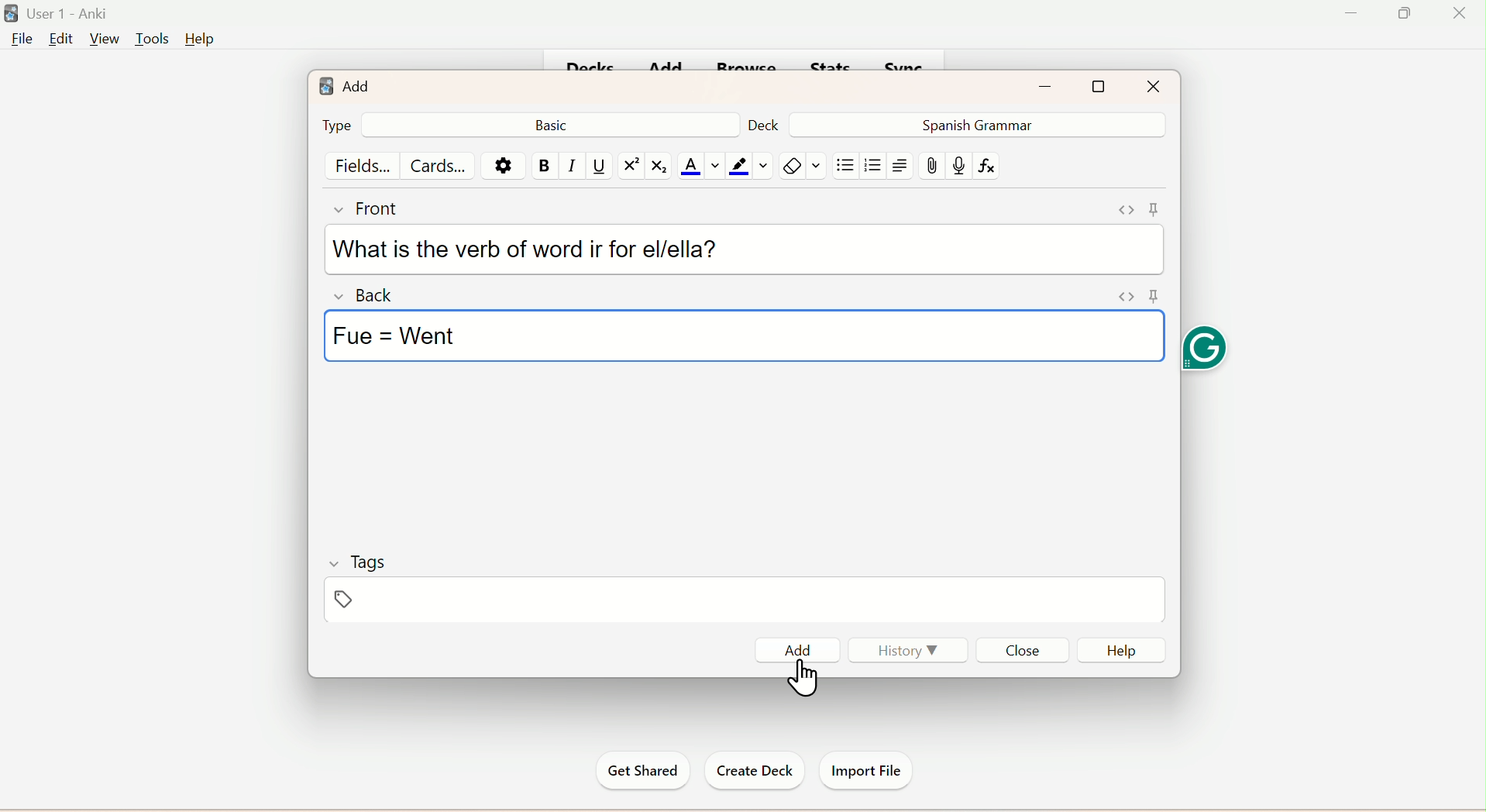 The image size is (1486, 812). What do you see at coordinates (1133, 207) in the screenshot?
I see `Pin` at bounding box center [1133, 207].